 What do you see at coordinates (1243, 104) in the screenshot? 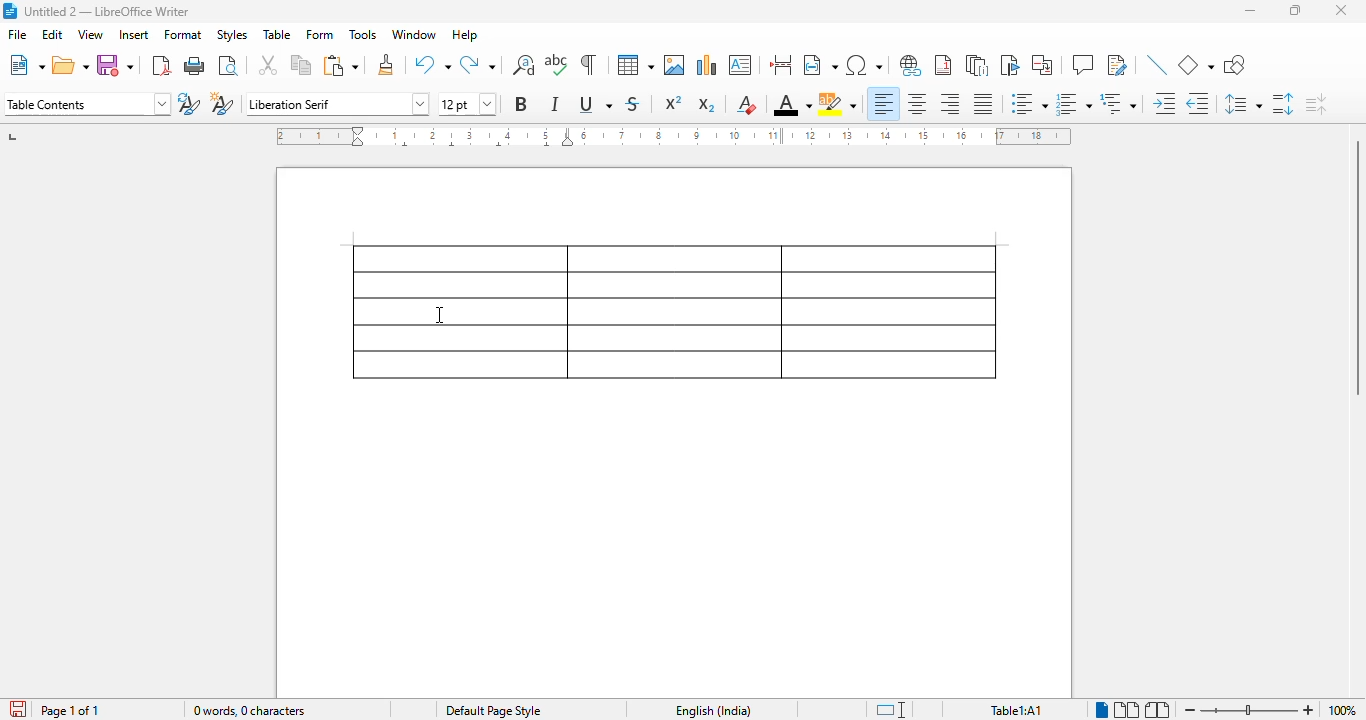
I see `set line spacing` at bounding box center [1243, 104].